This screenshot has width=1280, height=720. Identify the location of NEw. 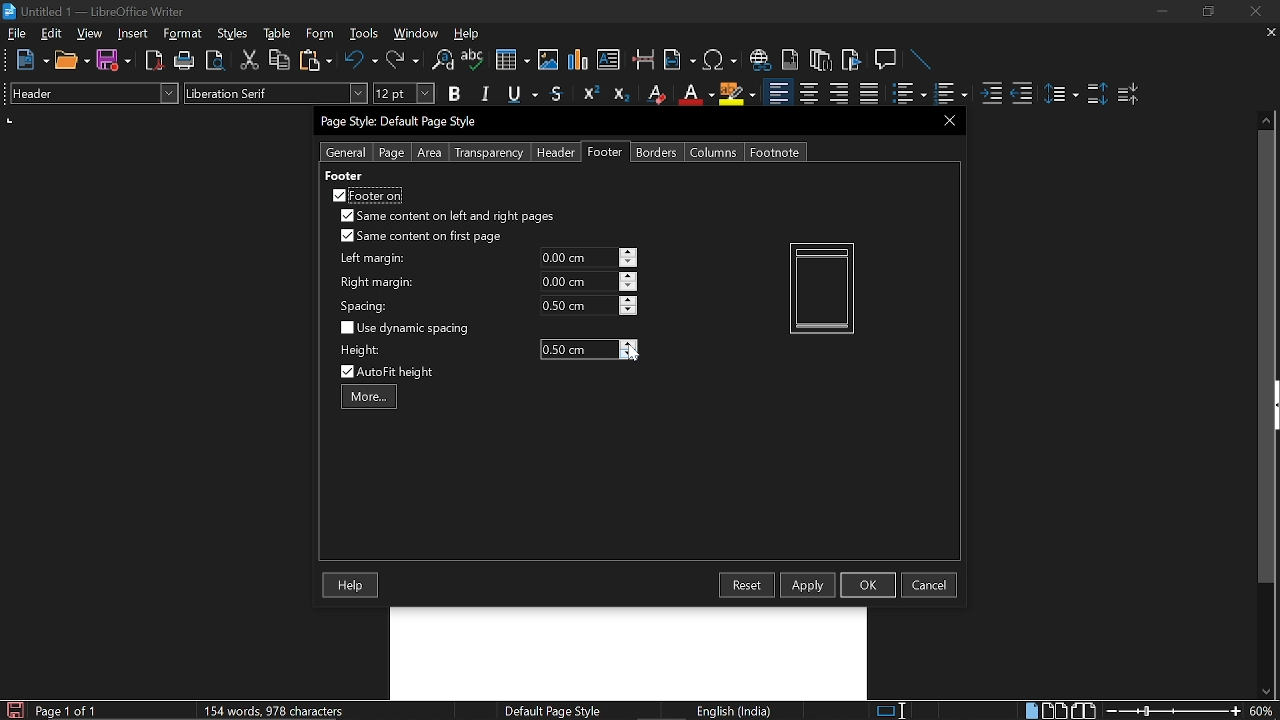
(31, 60).